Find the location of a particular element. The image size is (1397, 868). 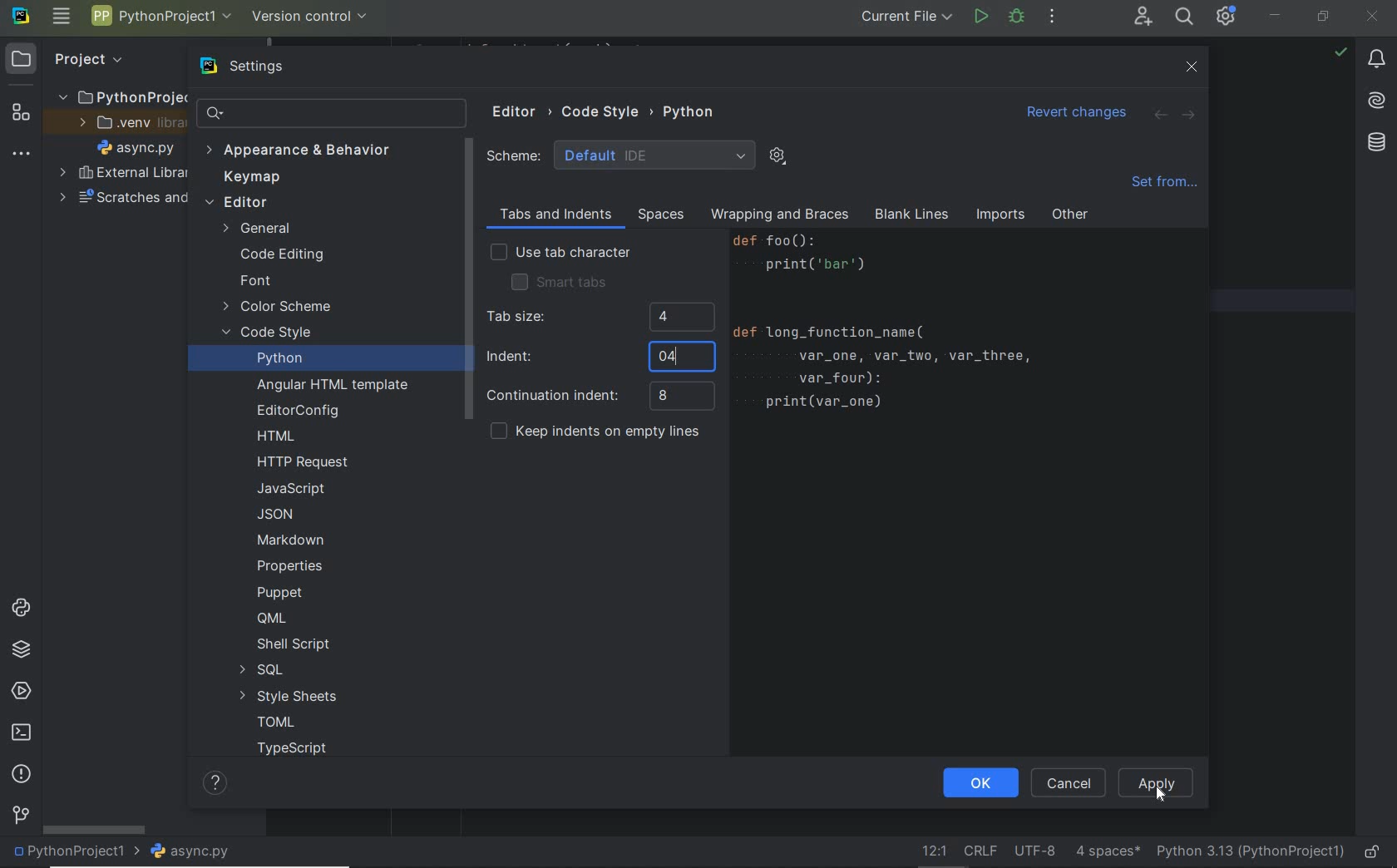

file name is located at coordinates (195, 852).